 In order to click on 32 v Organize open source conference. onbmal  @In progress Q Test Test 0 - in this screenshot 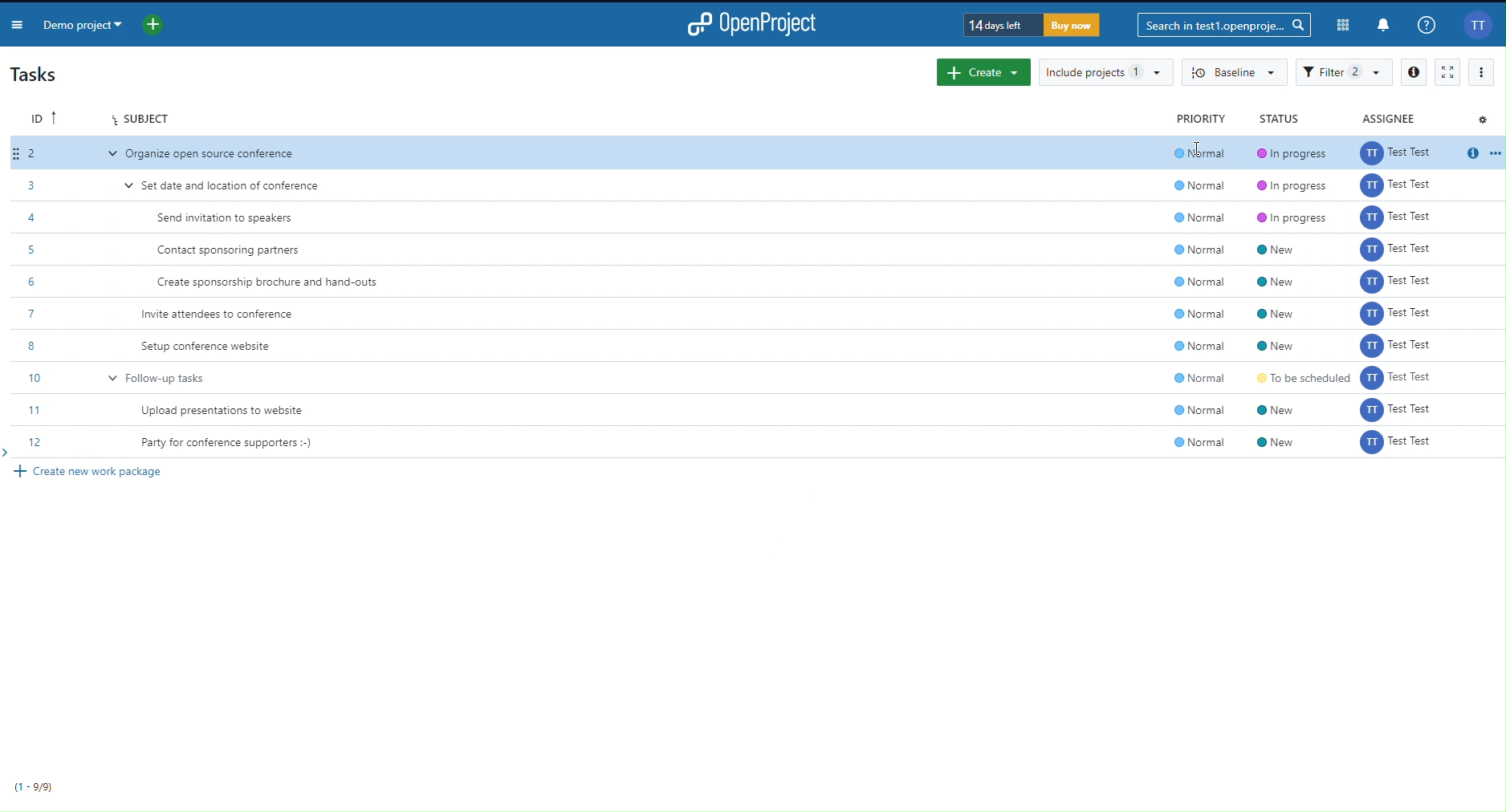, I will do `click(759, 152)`.